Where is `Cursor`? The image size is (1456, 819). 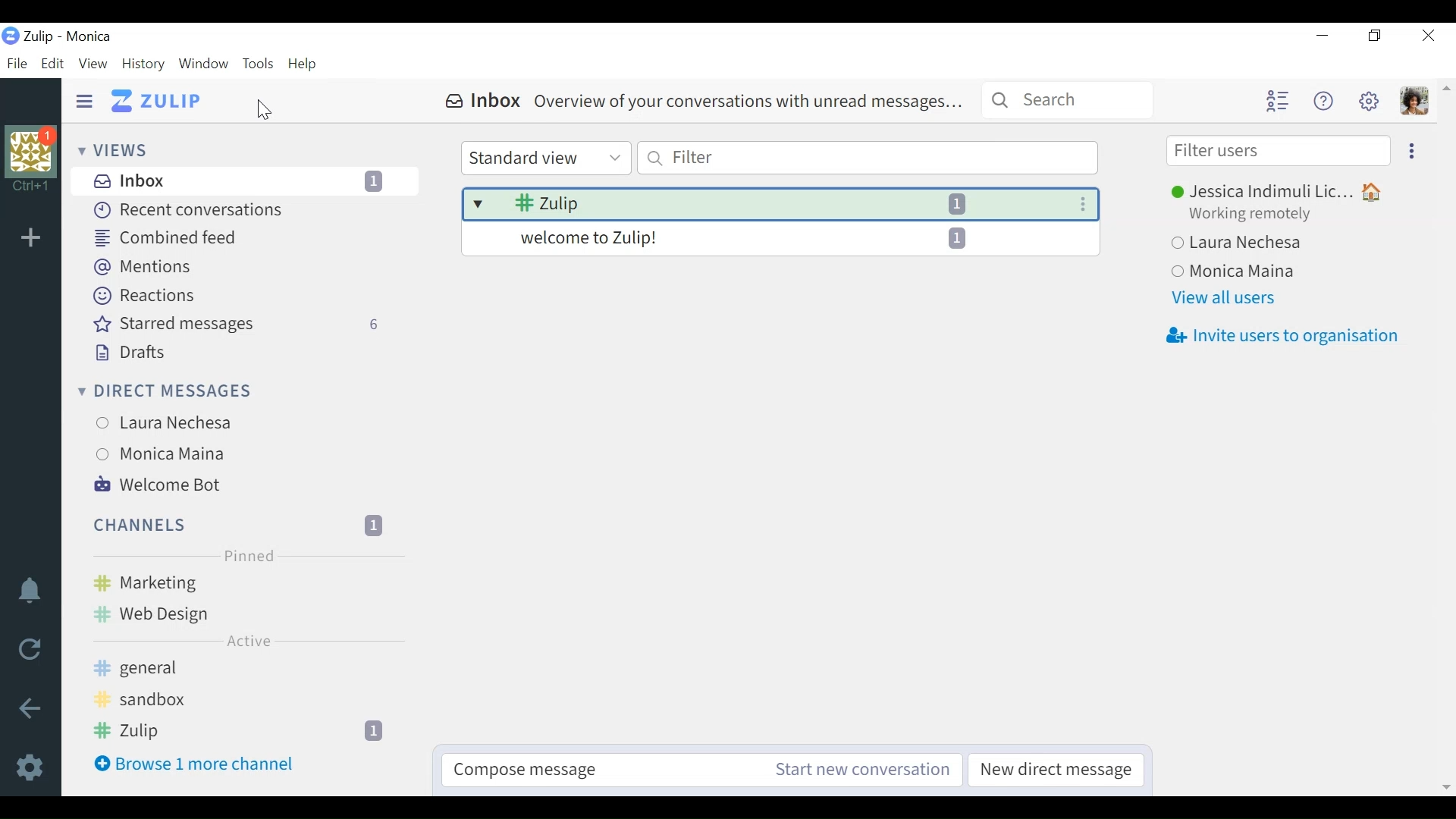
Cursor is located at coordinates (263, 111).